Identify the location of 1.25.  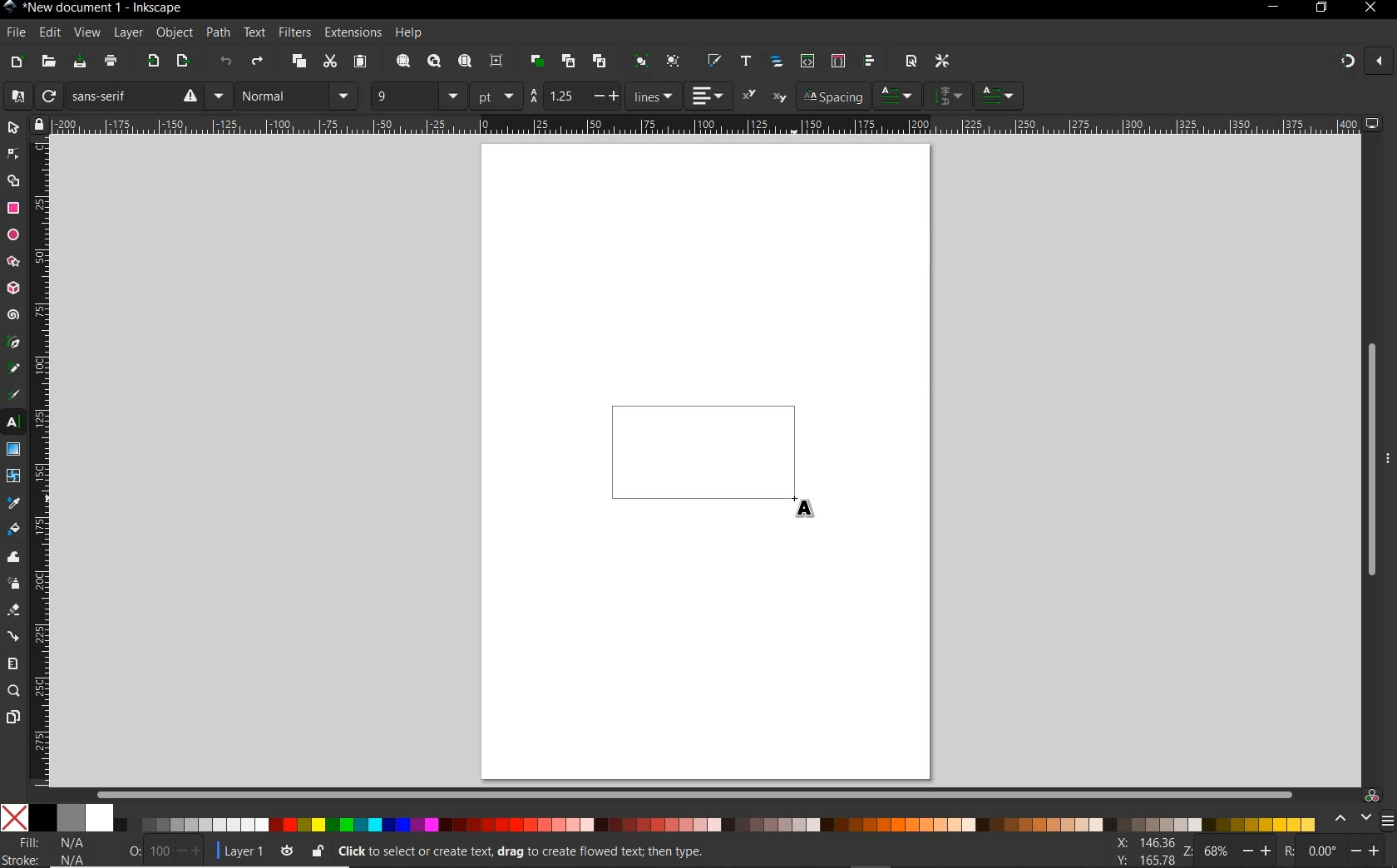
(561, 96).